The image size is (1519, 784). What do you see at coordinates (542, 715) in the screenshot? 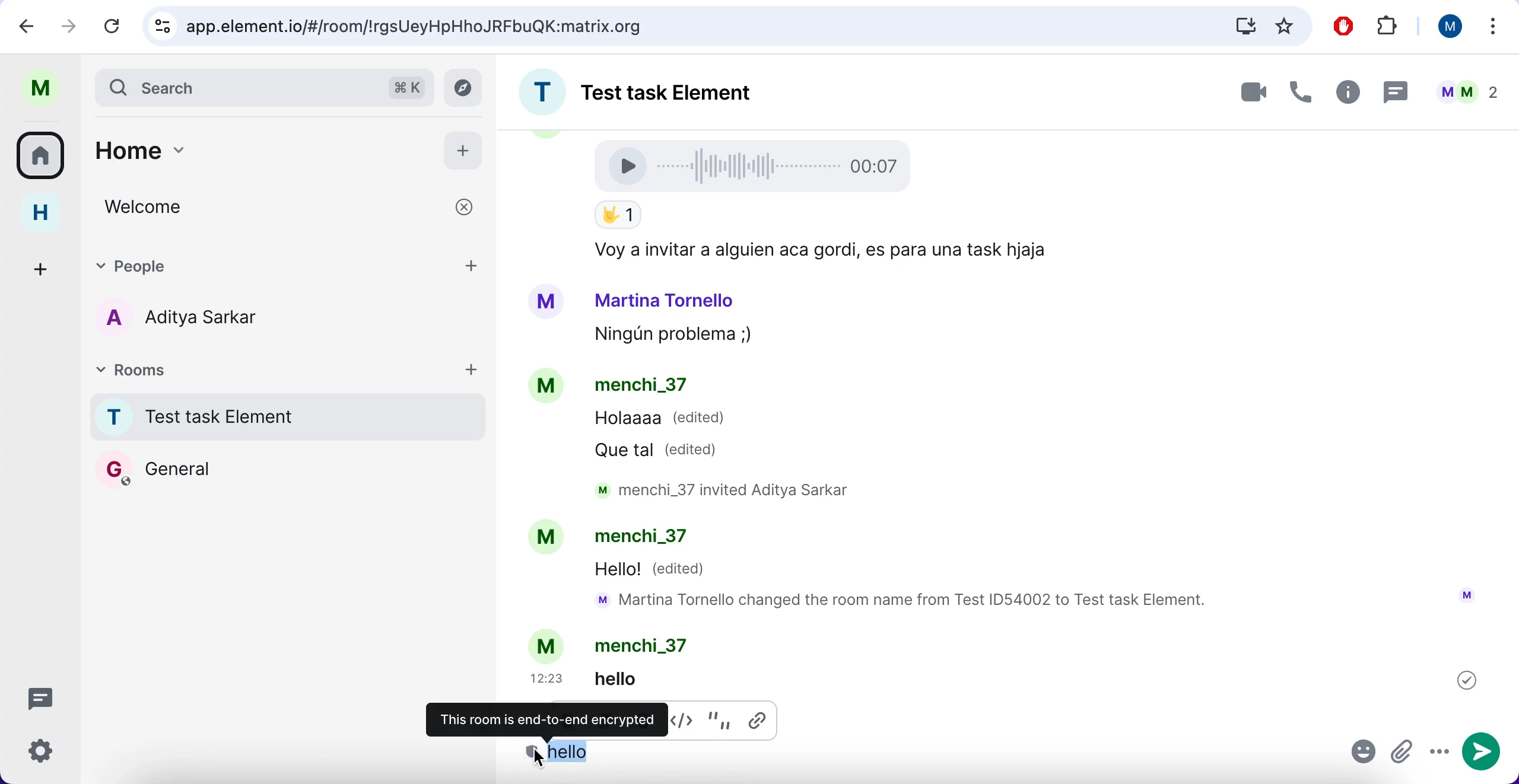
I see `this room is end-to-end encrypted` at bounding box center [542, 715].